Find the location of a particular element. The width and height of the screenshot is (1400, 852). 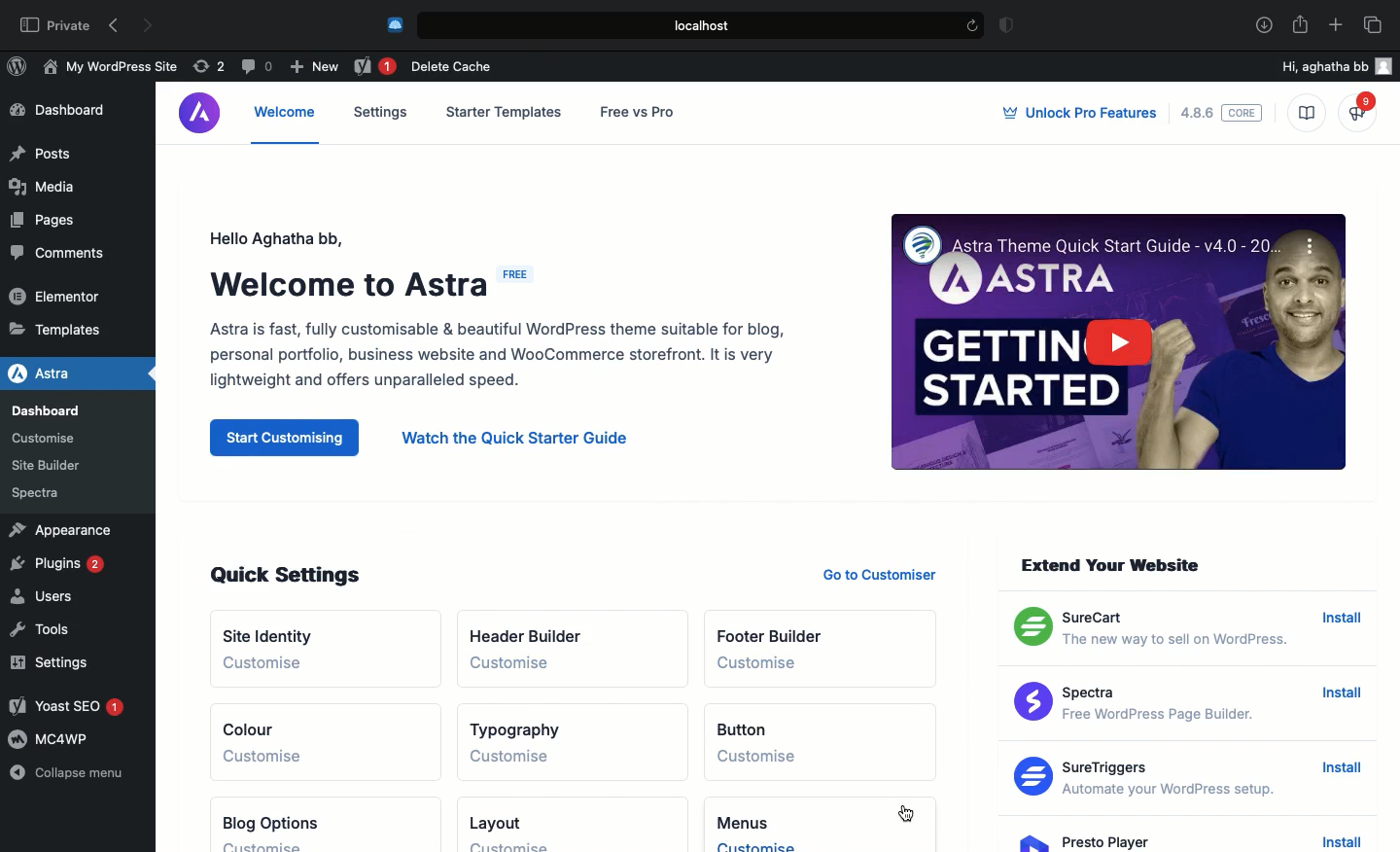

Users is located at coordinates (49, 599).